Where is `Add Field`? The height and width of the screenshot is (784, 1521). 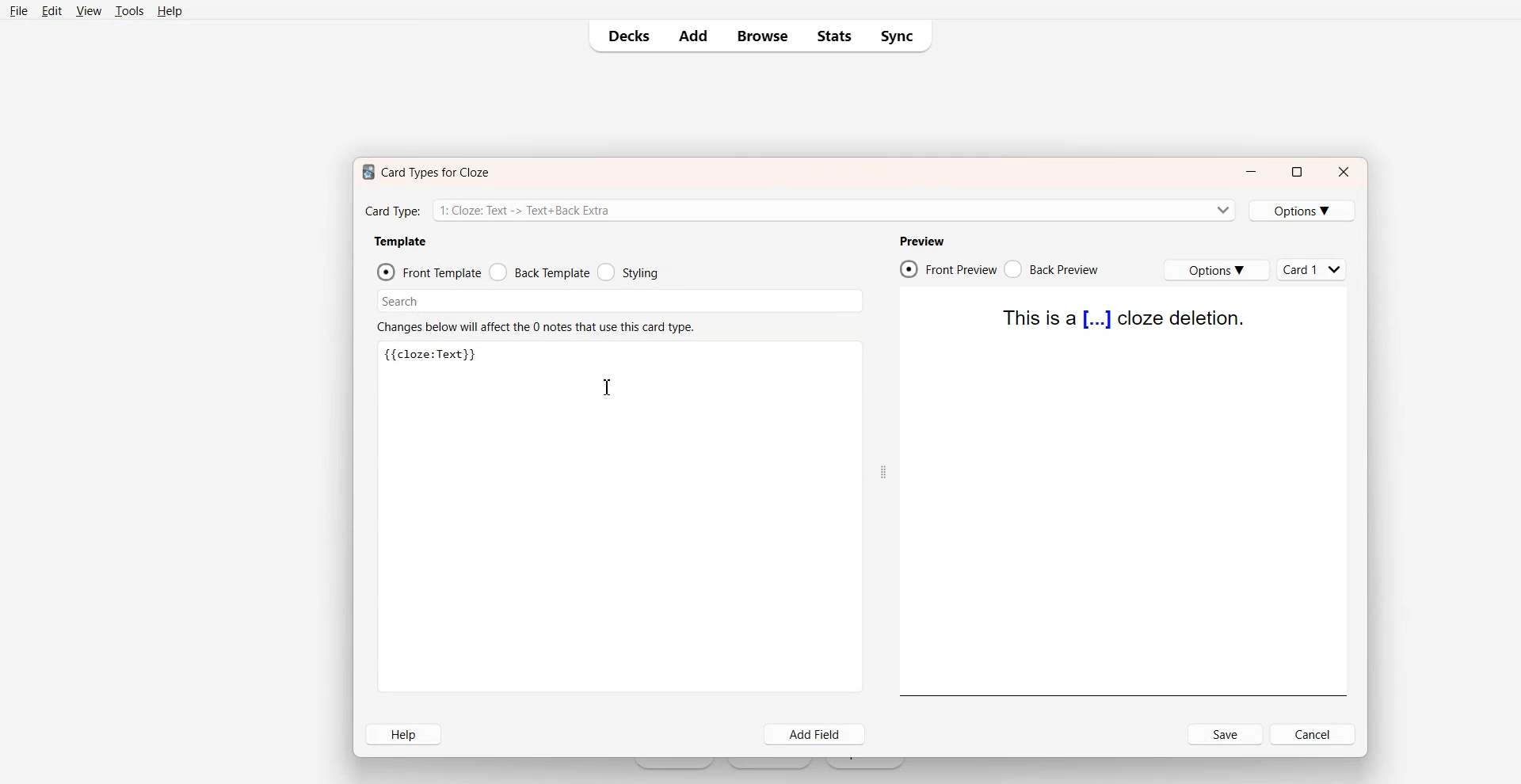
Add Field is located at coordinates (816, 735).